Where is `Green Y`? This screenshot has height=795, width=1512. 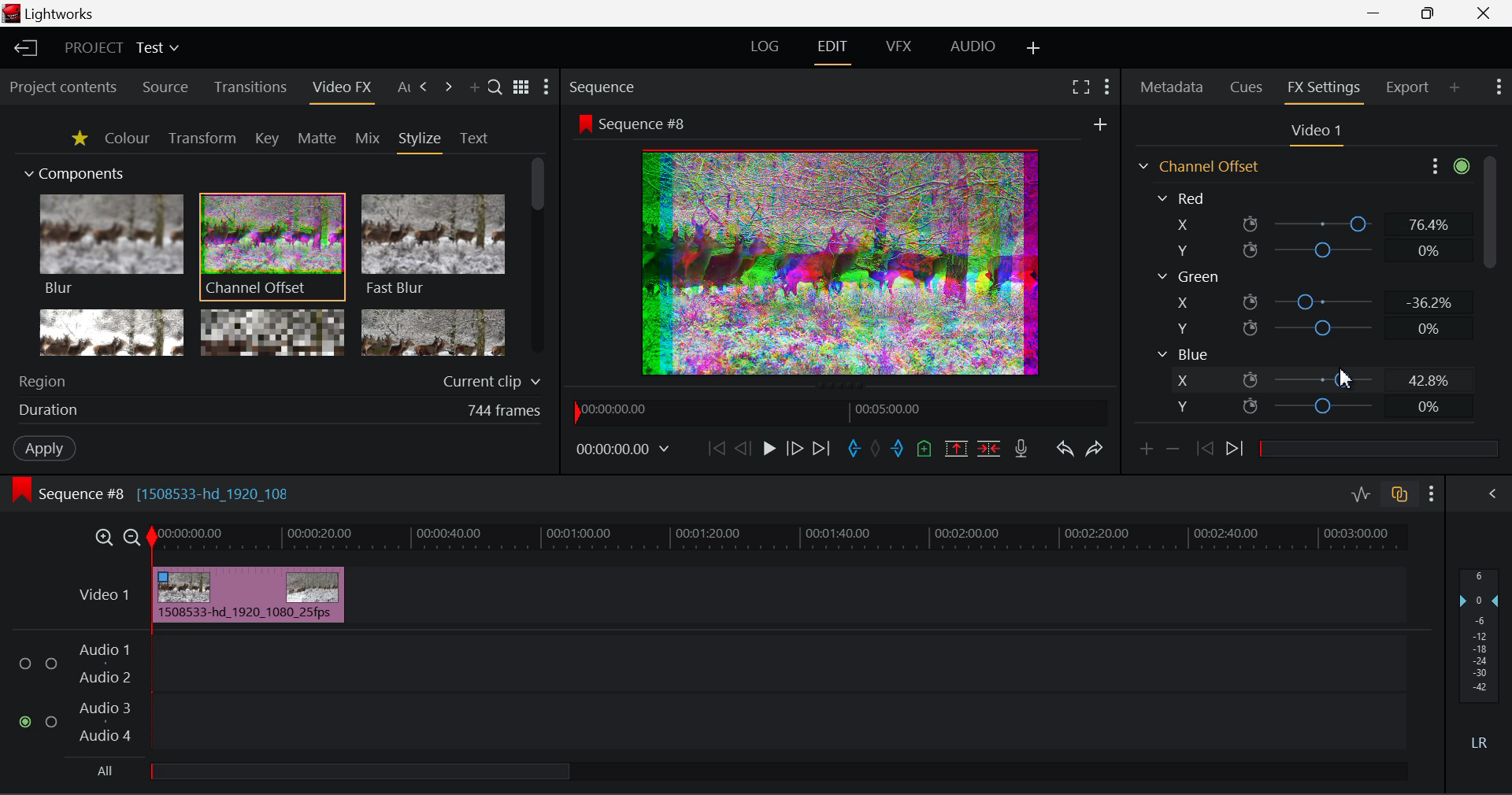 Green Y is located at coordinates (1308, 327).